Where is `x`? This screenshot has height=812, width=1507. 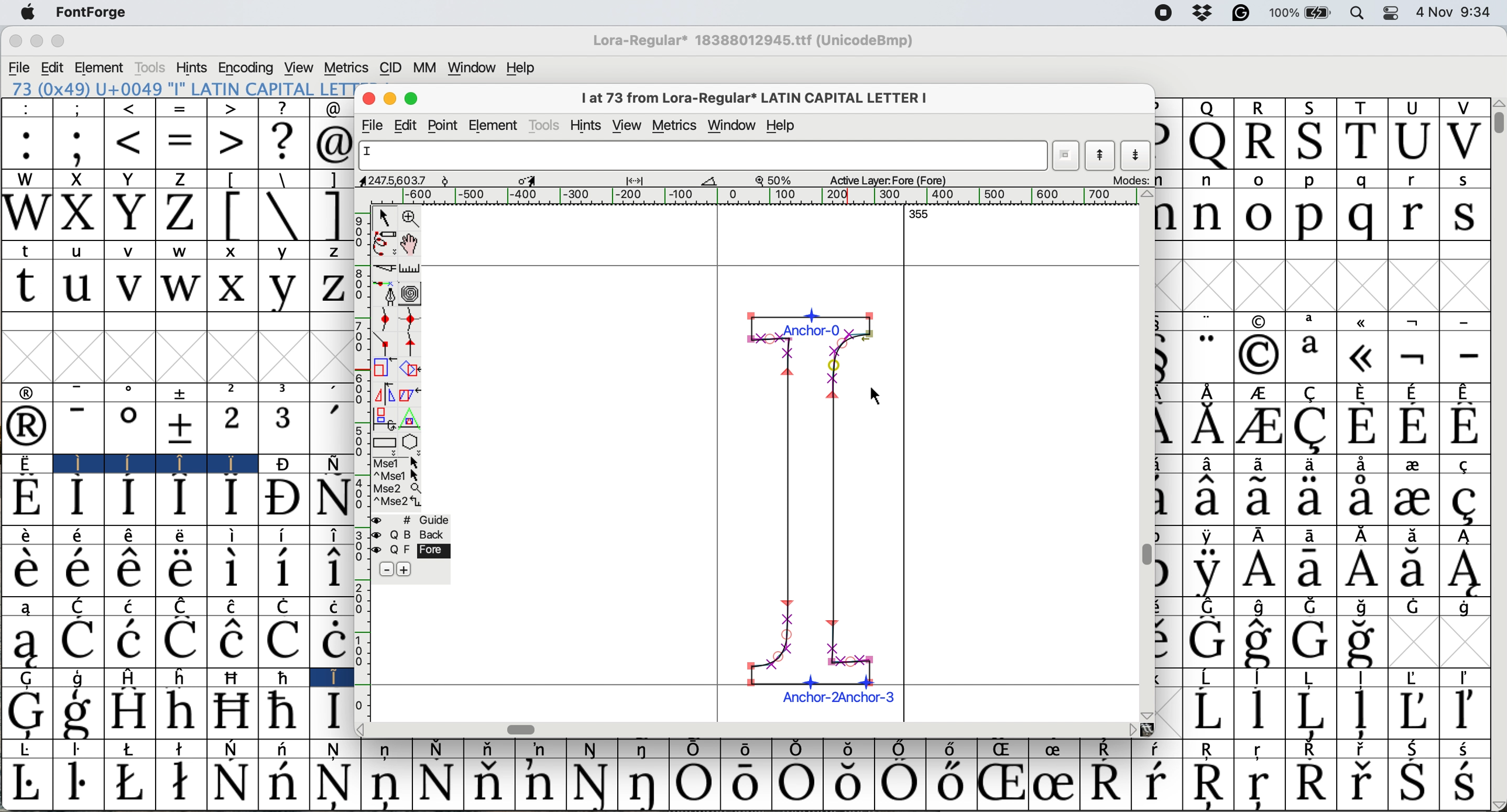
x is located at coordinates (234, 250).